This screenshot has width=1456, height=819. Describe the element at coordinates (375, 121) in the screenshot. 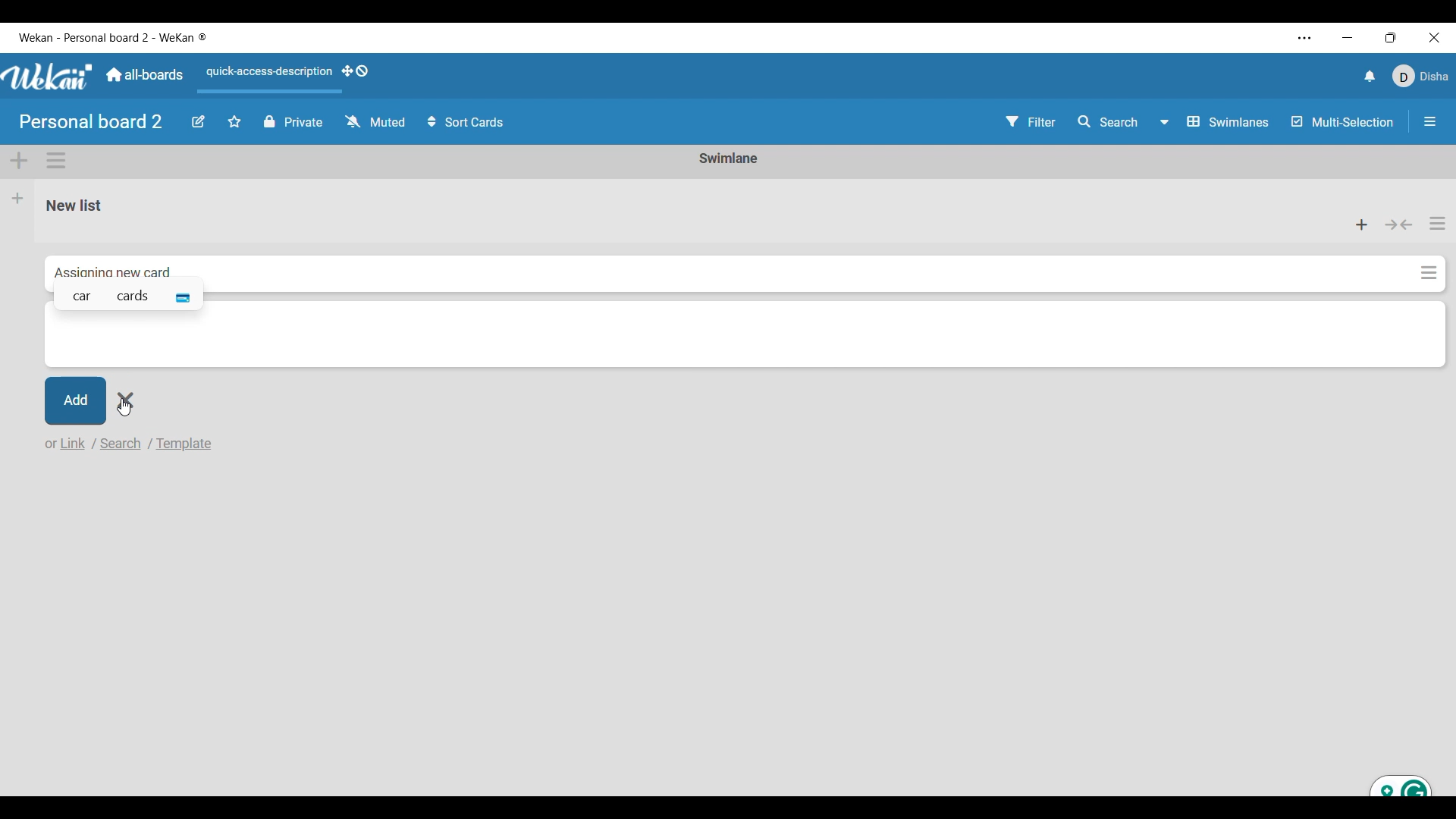

I see `Watch options` at that location.